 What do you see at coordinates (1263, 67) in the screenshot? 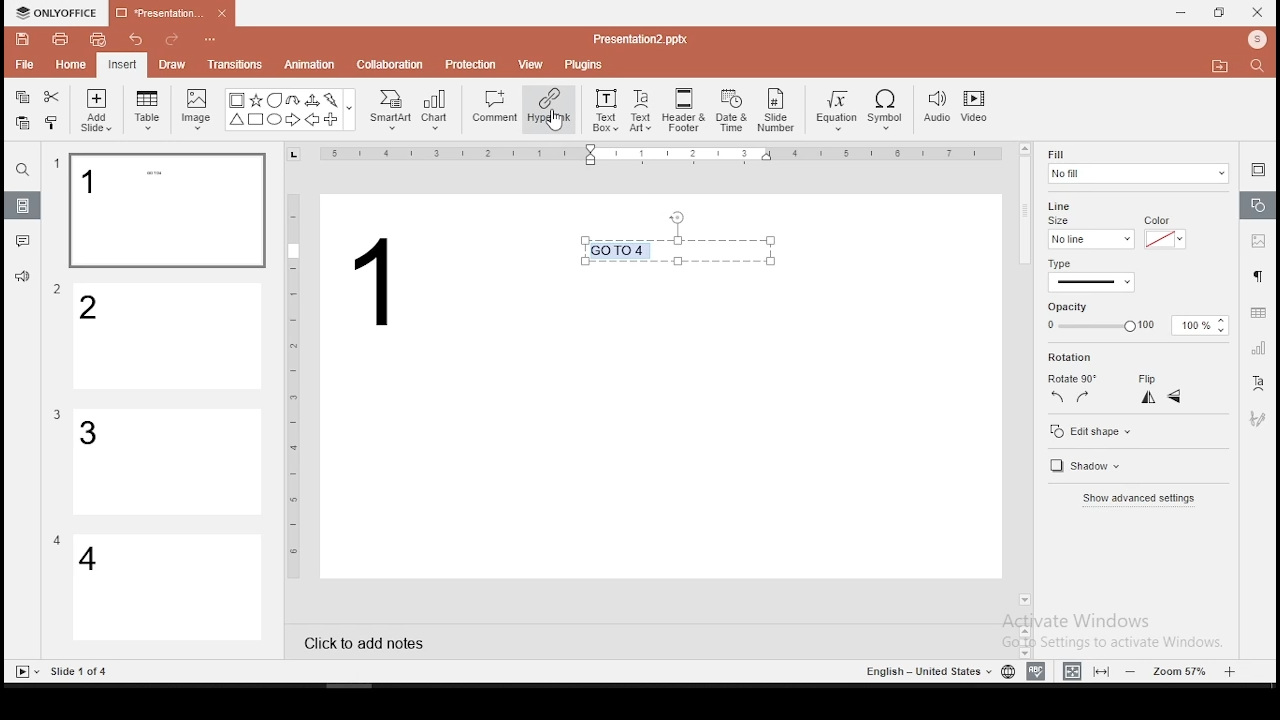
I see `Search` at bounding box center [1263, 67].